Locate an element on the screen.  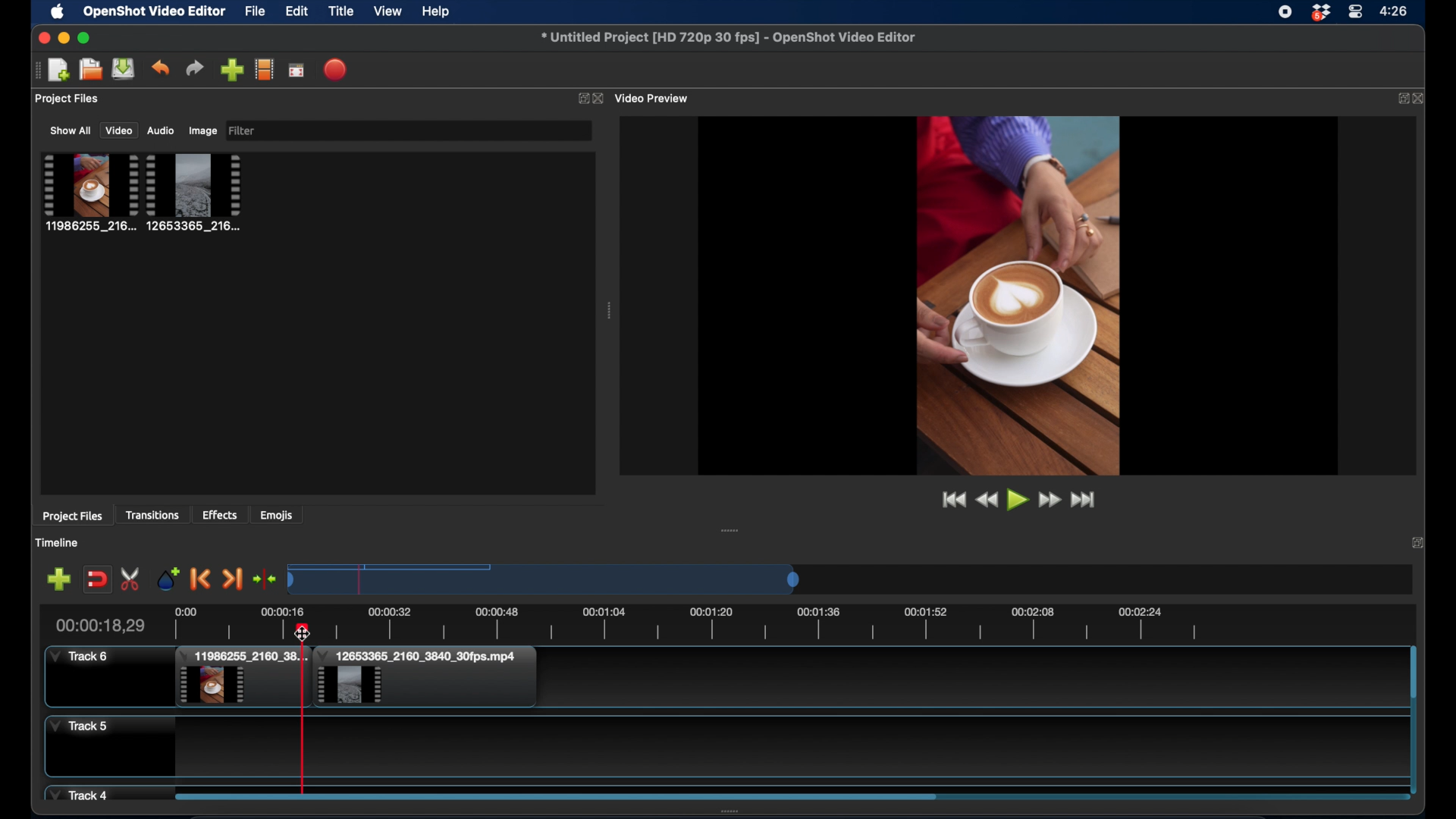
scroll bar is located at coordinates (555, 795).